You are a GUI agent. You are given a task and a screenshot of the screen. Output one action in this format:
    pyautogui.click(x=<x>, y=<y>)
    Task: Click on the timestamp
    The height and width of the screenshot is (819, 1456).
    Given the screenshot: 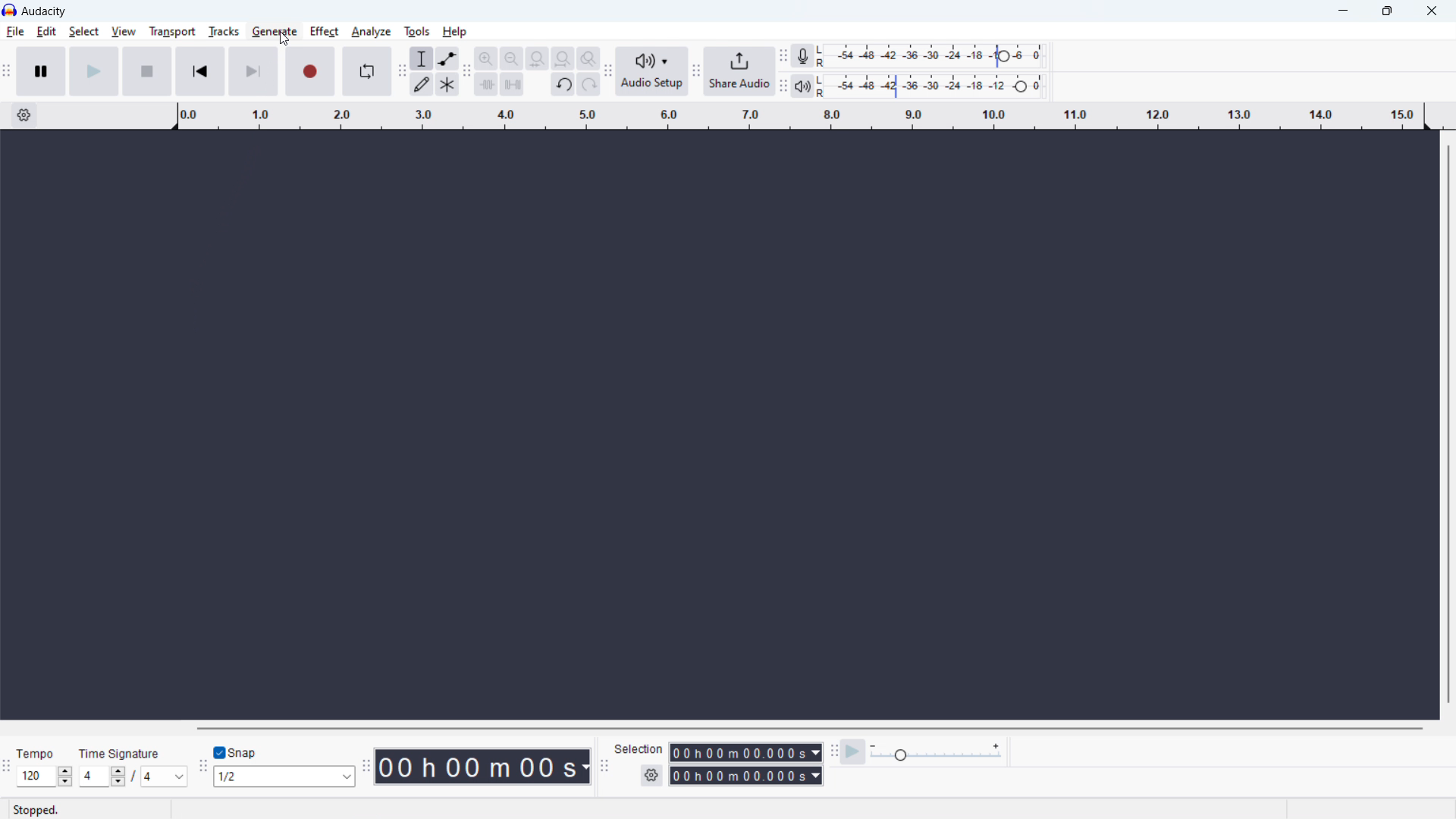 What is the action you would take?
    pyautogui.click(x=485, y=767)
    